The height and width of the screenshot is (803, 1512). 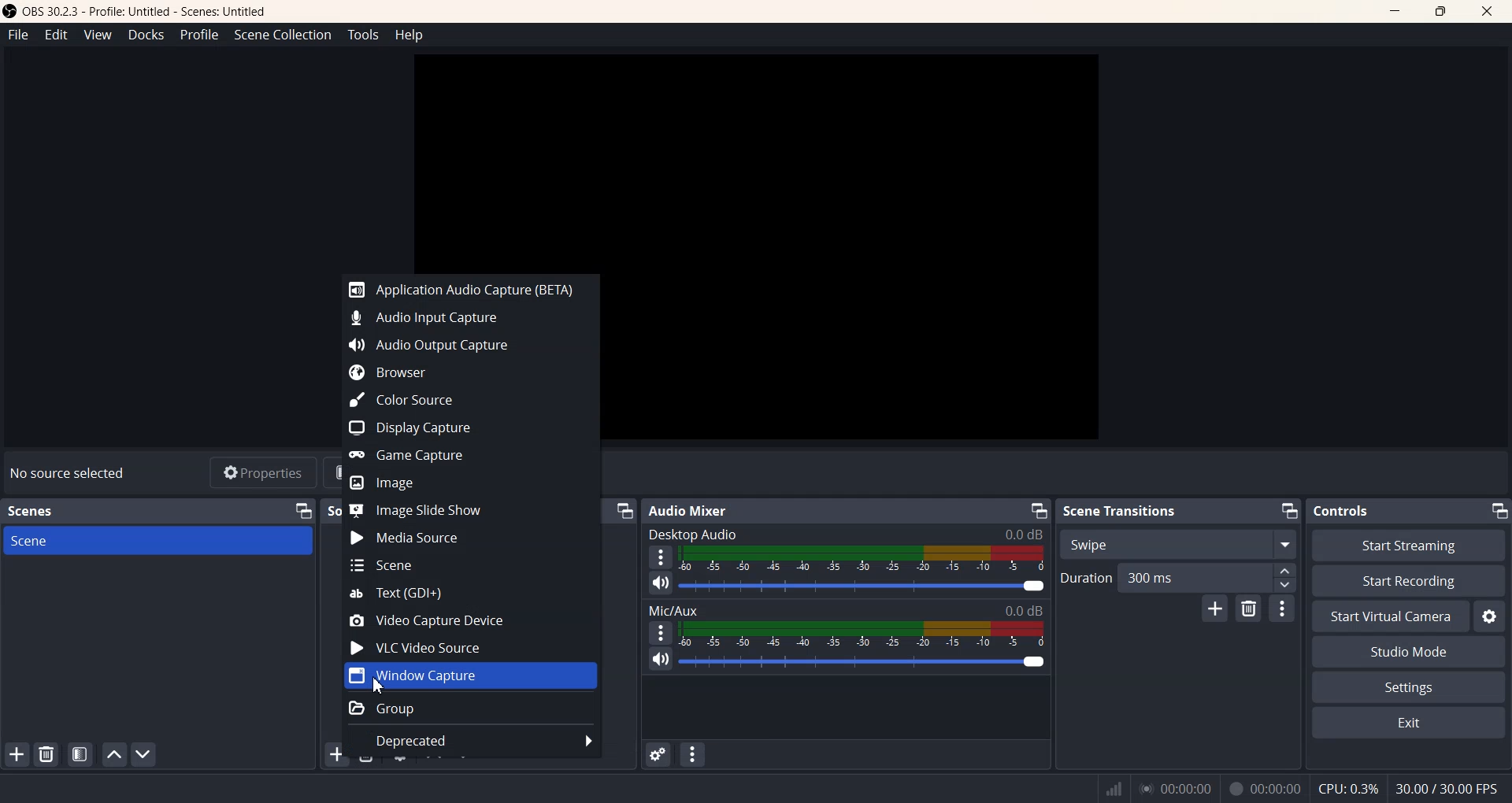 What do you see at coordinates (469, 677) in the screenshot?
I see `Window Capture` at bounding box center [469, 677].